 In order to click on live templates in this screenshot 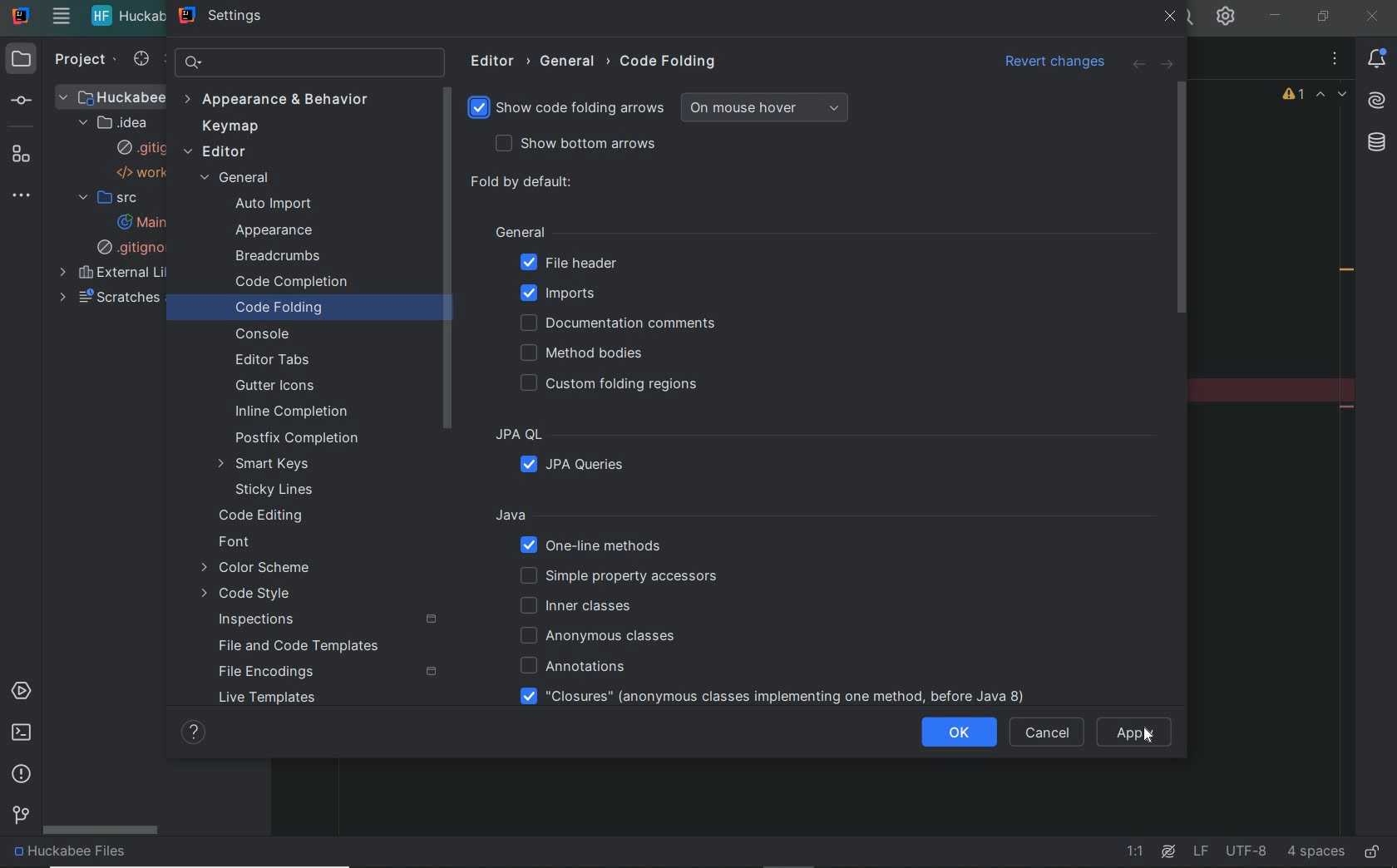, I will do `click(269, 699)`.